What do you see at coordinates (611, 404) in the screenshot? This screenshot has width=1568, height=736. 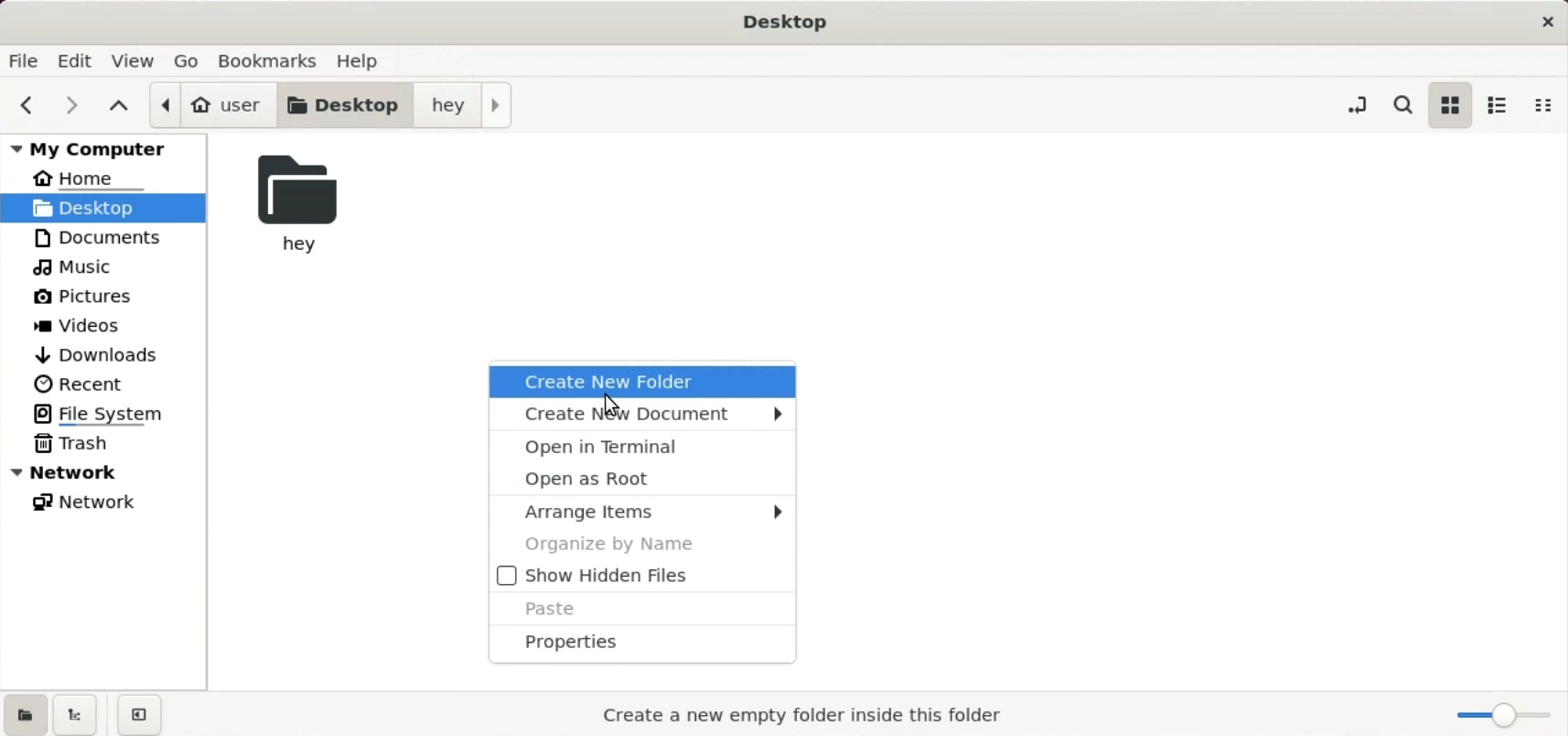 I see `cursor` at bounding box center [611, 404].